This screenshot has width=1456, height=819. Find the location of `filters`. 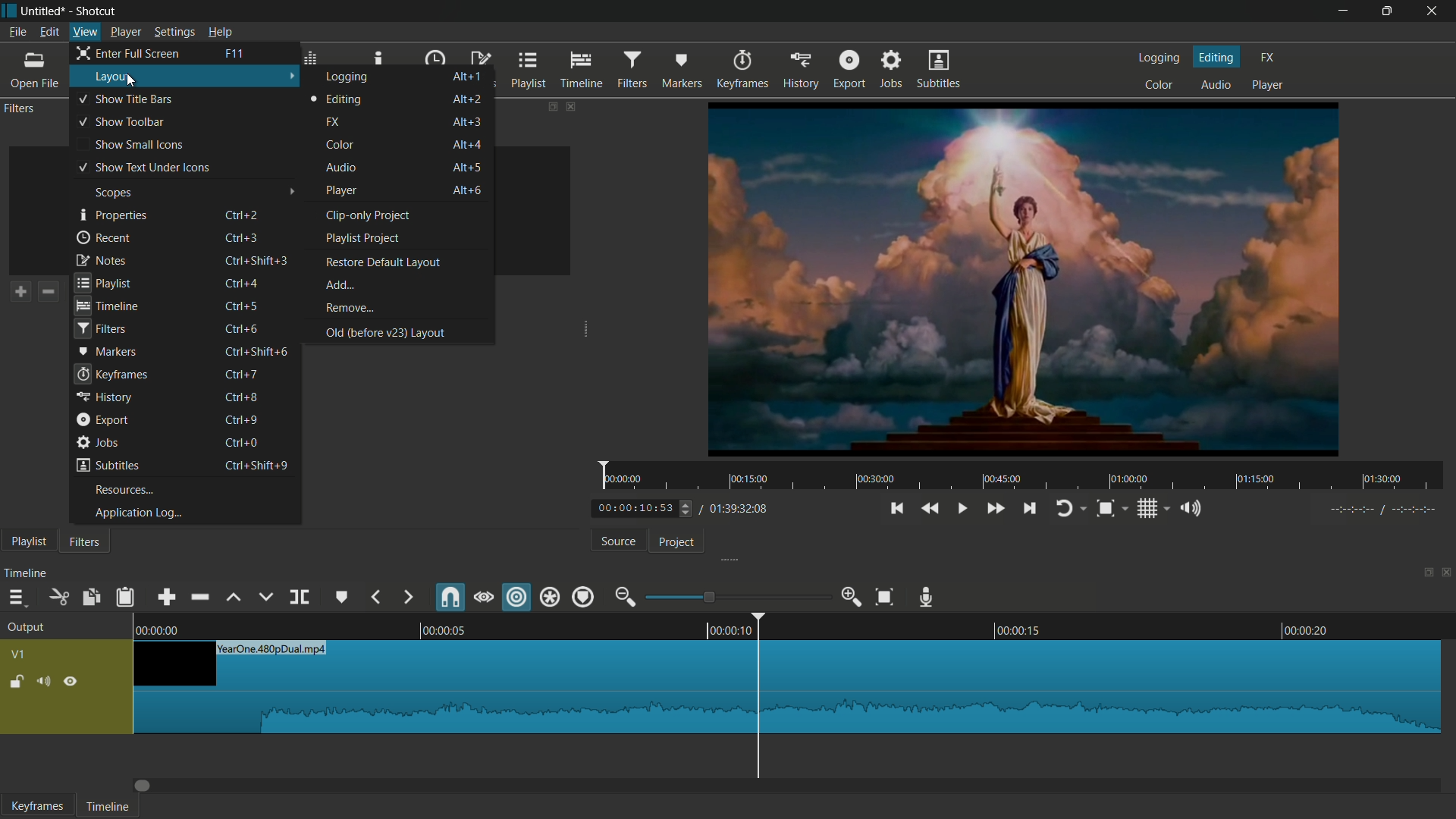

filters is located at coordinates (634, 69).